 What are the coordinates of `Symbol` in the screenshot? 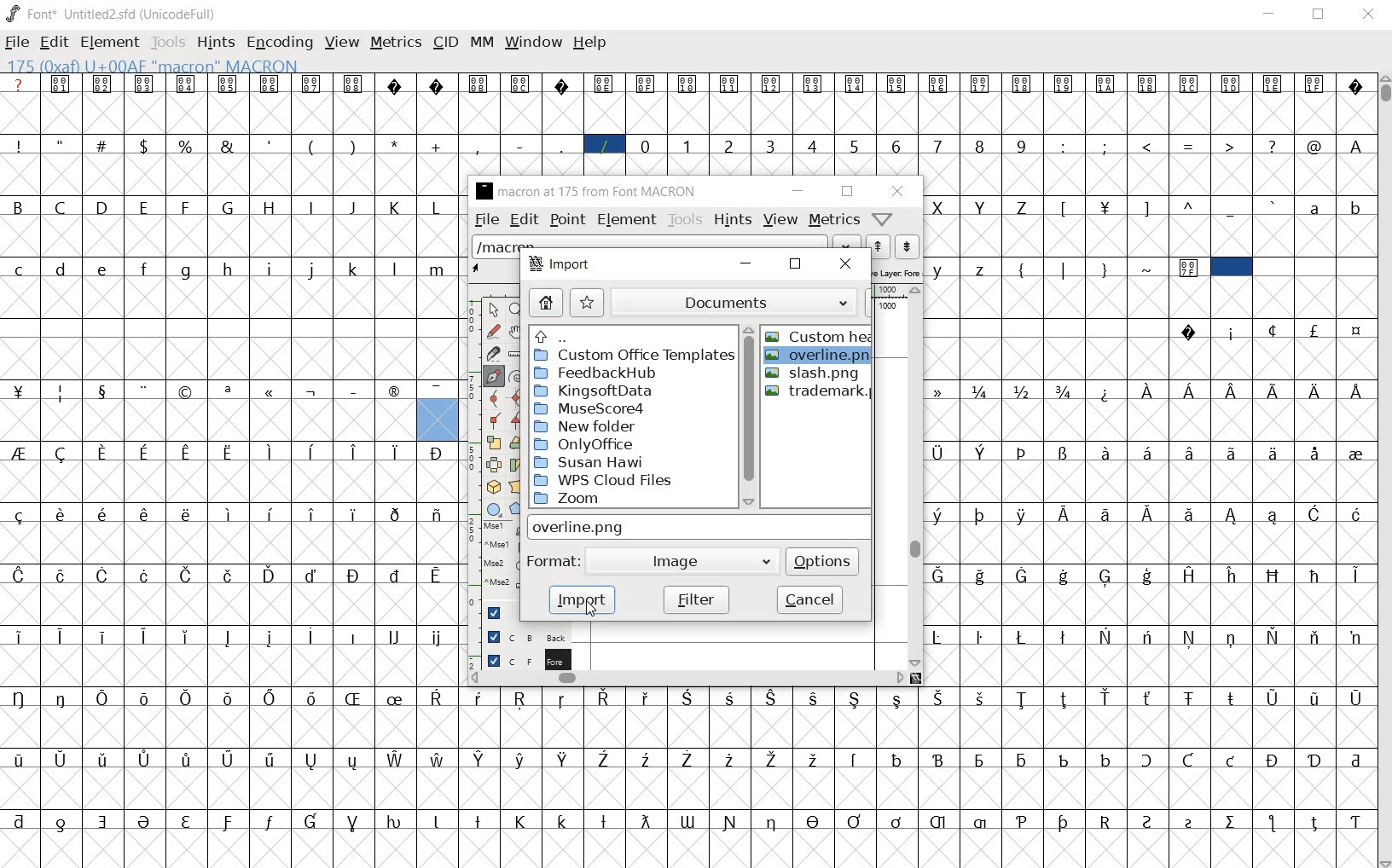 It's located at (105, 759).